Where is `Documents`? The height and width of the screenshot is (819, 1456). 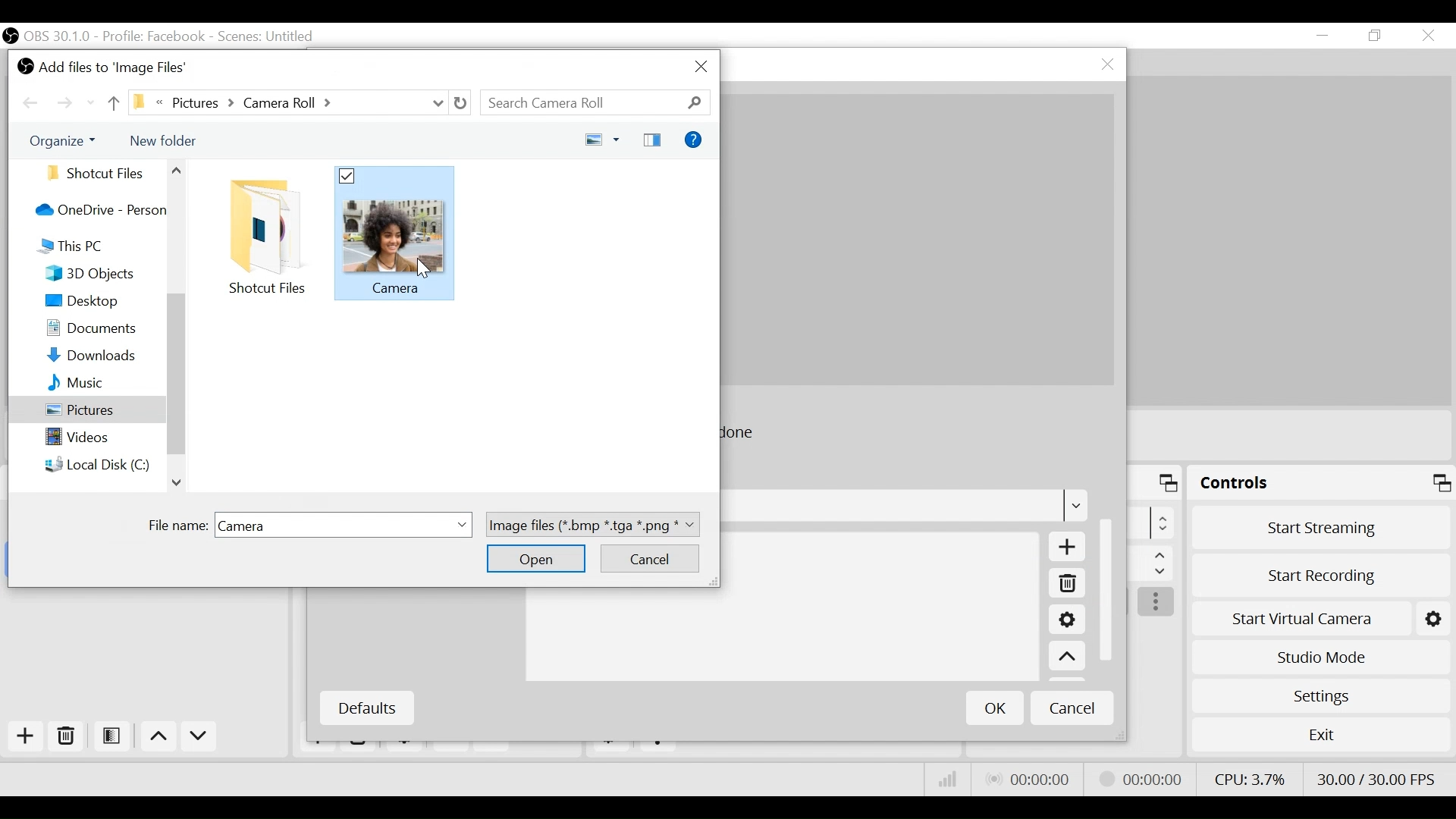
Documents is located at coordinates (103, 331).